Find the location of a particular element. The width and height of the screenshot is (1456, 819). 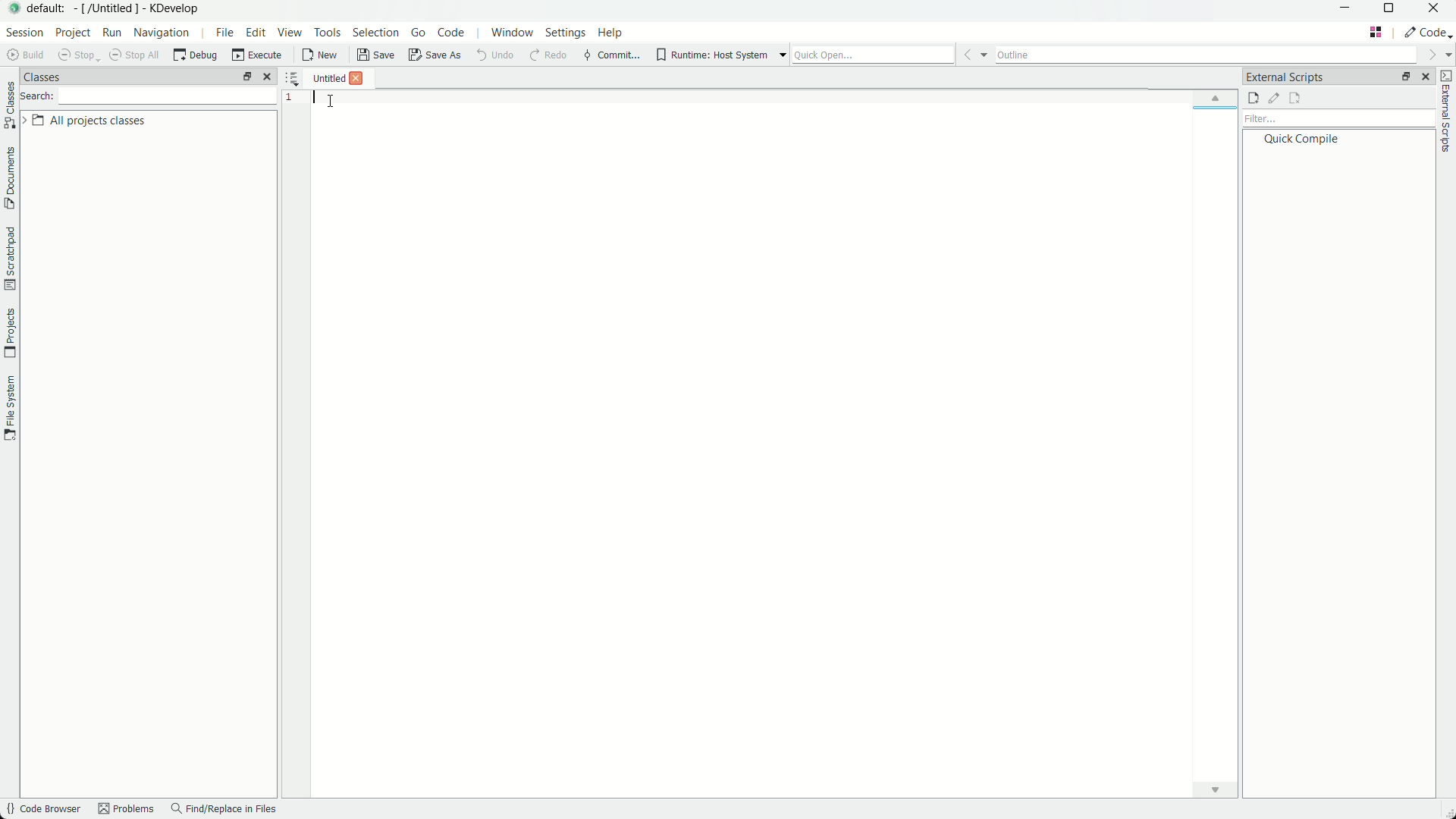

close pane is located at coordinates (1426, 77).